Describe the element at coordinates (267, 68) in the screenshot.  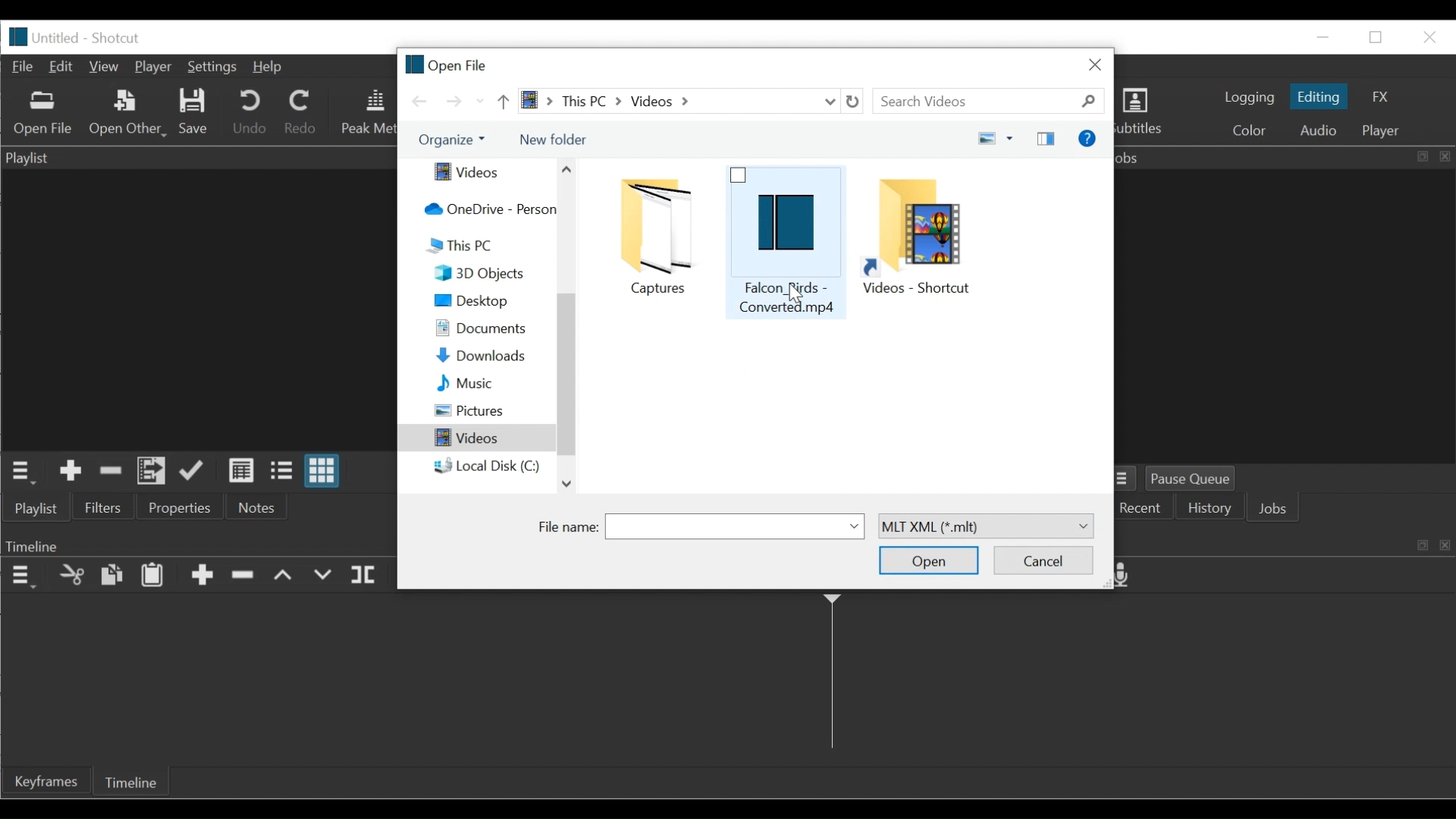
I see `Help` at that location.